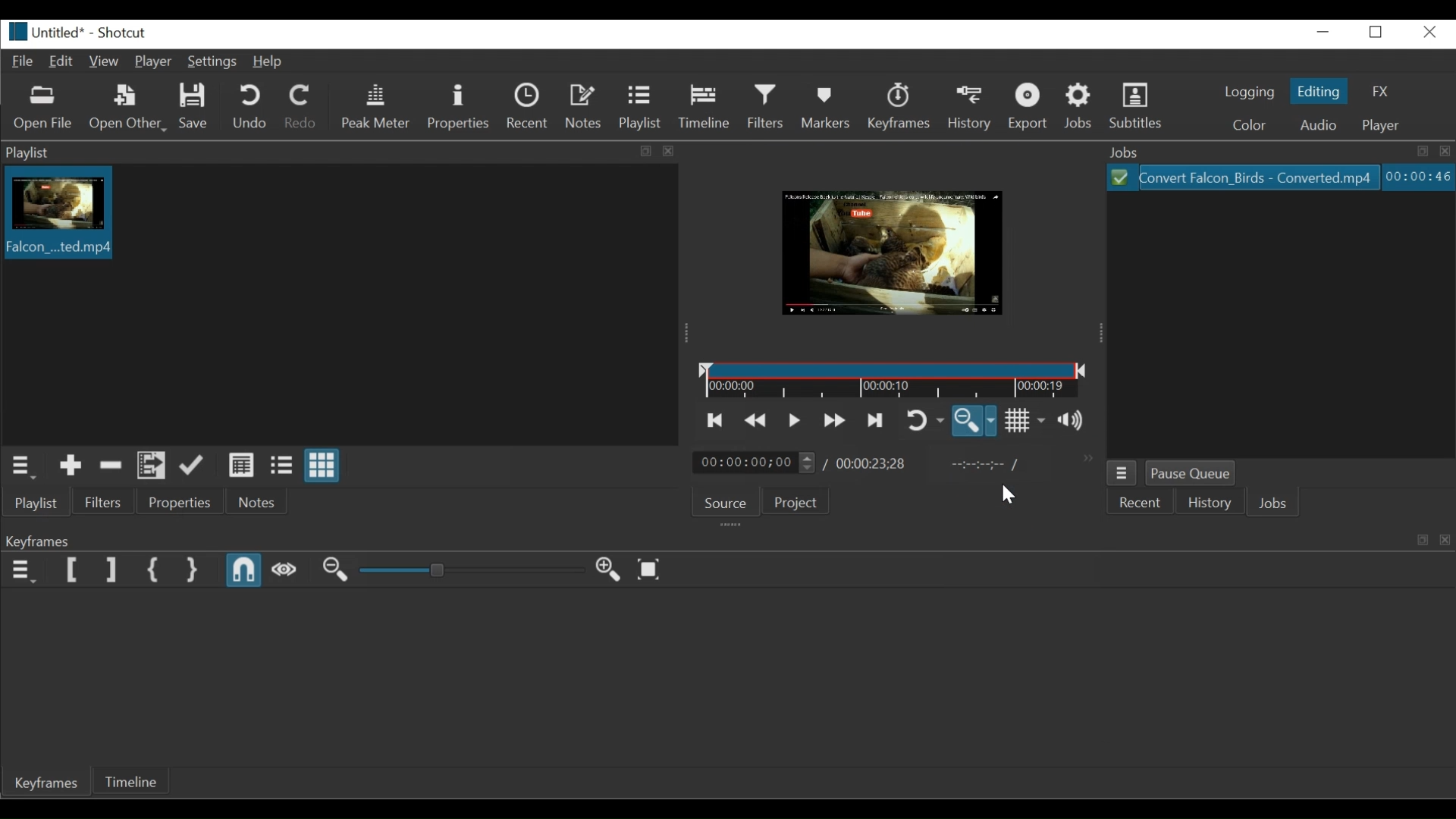  Describe the element at coordinates (1272, 502) in the screenshot. I see `Jobs` at that location.